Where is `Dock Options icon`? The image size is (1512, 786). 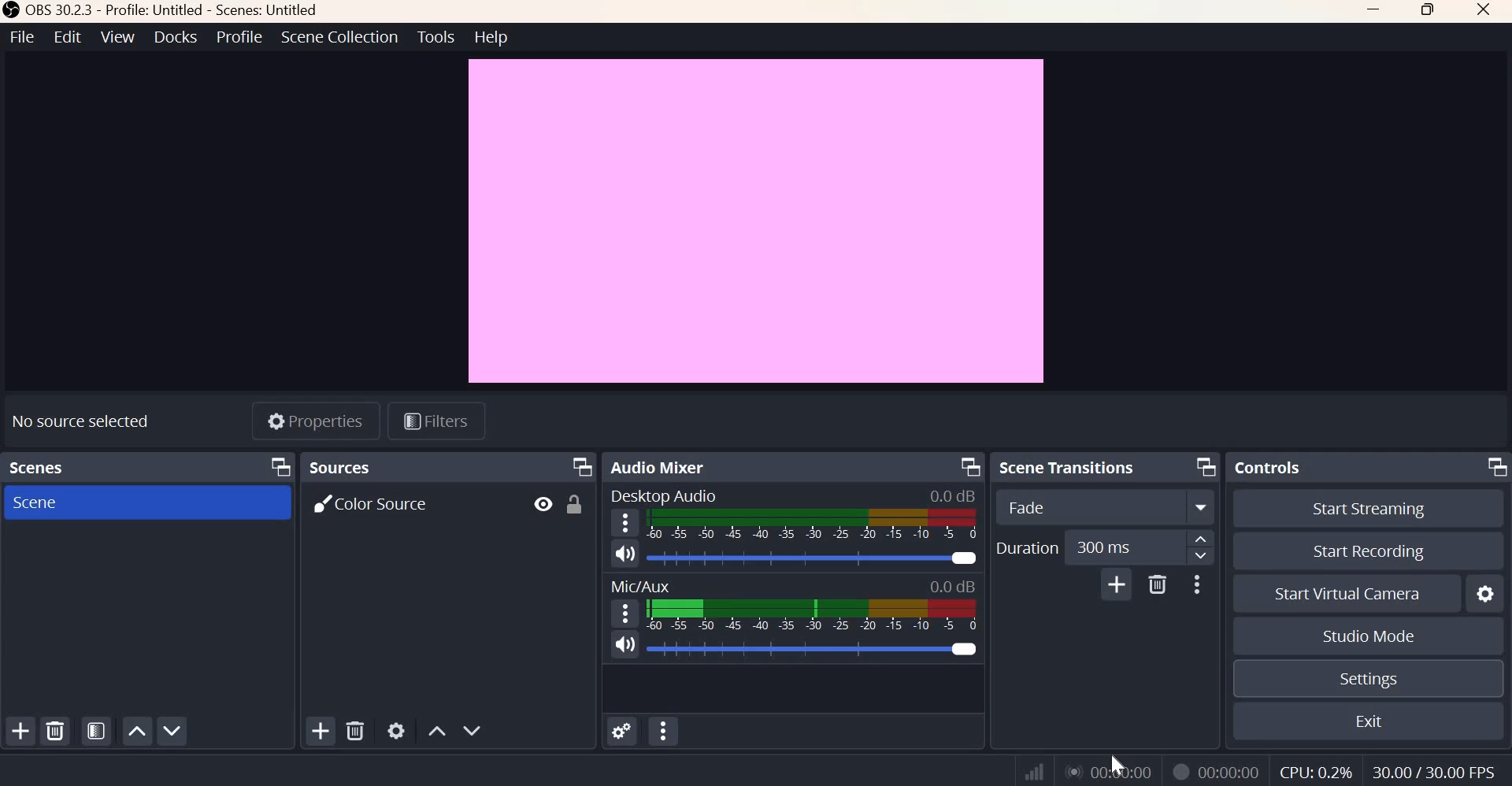 Dock Options icon is located at coordinates (582, 466).